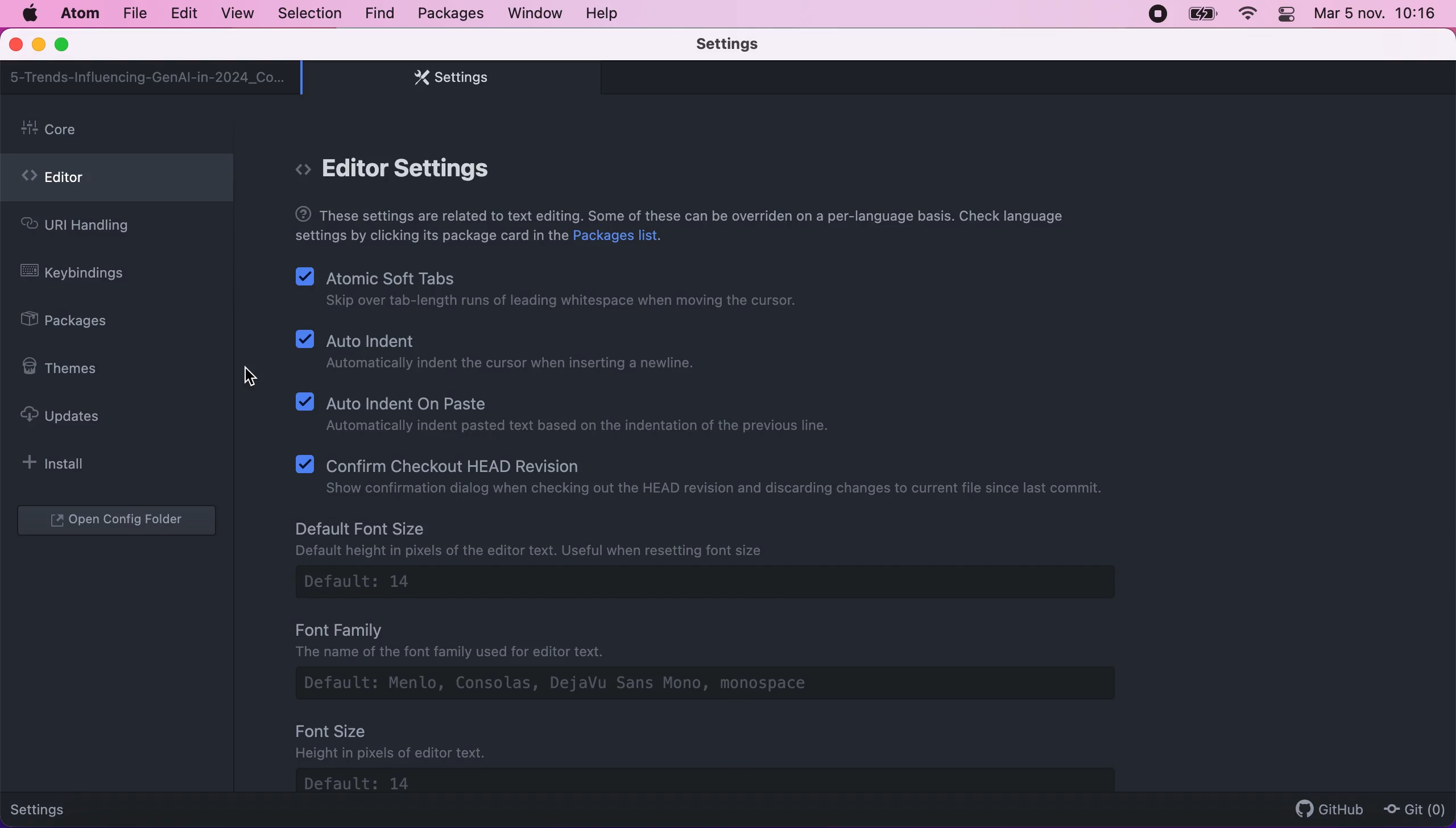 Image resolution: width=1456 pixels, height=828 pixels. What do you see at coordinates (503, 355) in the screenshot?
I see `auto indent` at bounding box center [503, 355].